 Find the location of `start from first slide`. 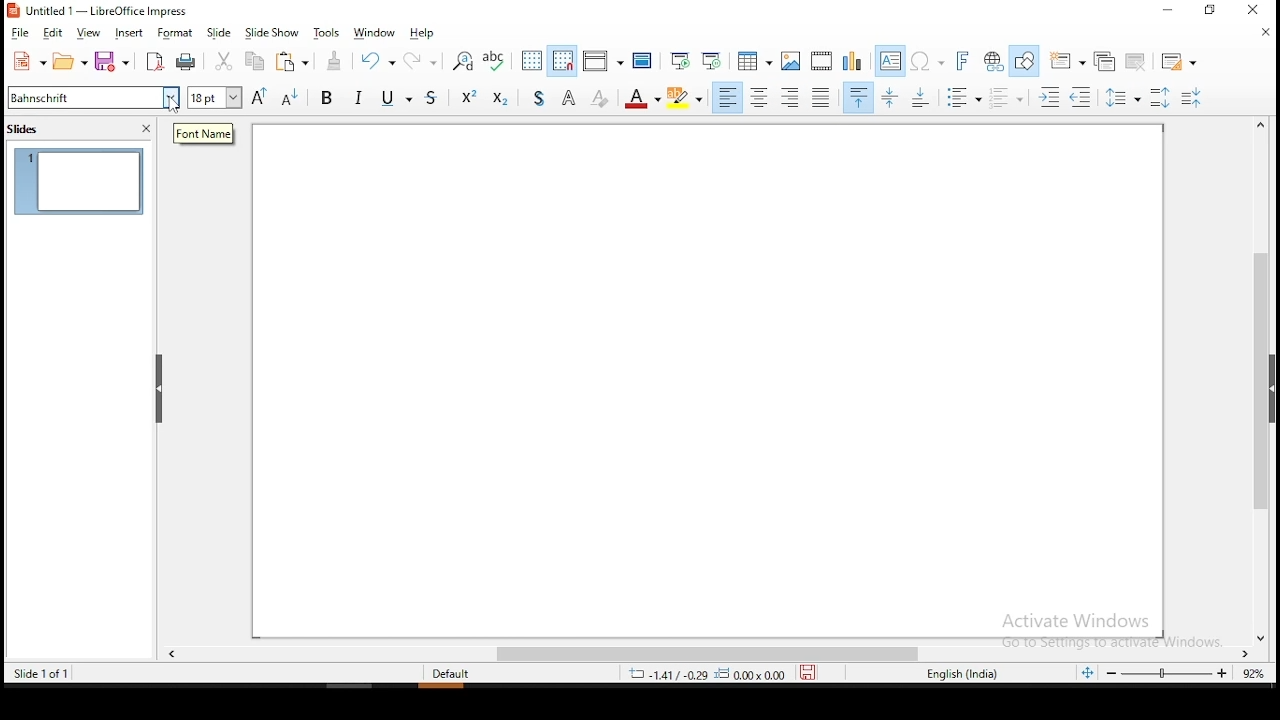

start from first slide is located at coordinates (683, 61).